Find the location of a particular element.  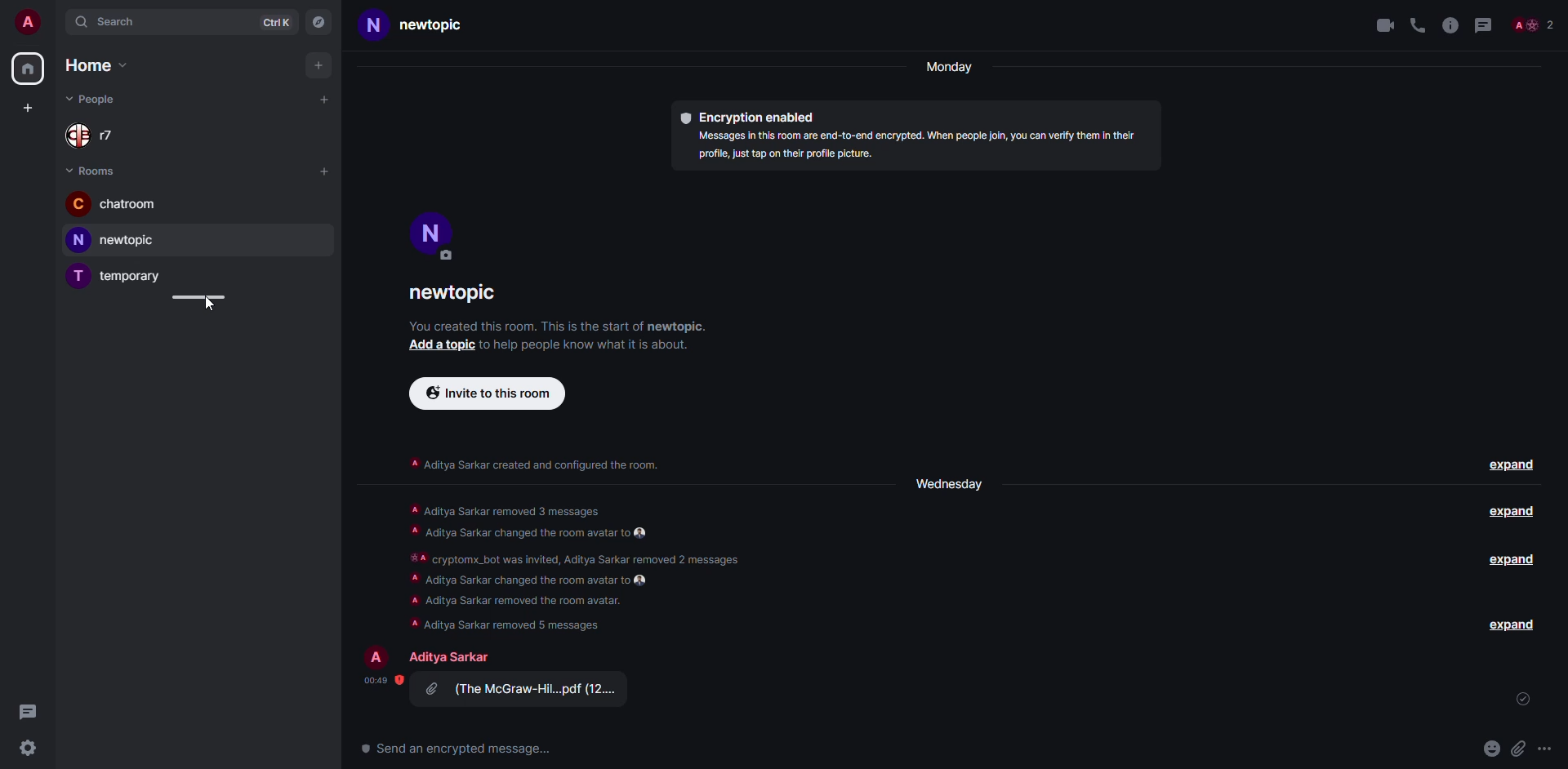

profile is located at coordinates (25, 21).